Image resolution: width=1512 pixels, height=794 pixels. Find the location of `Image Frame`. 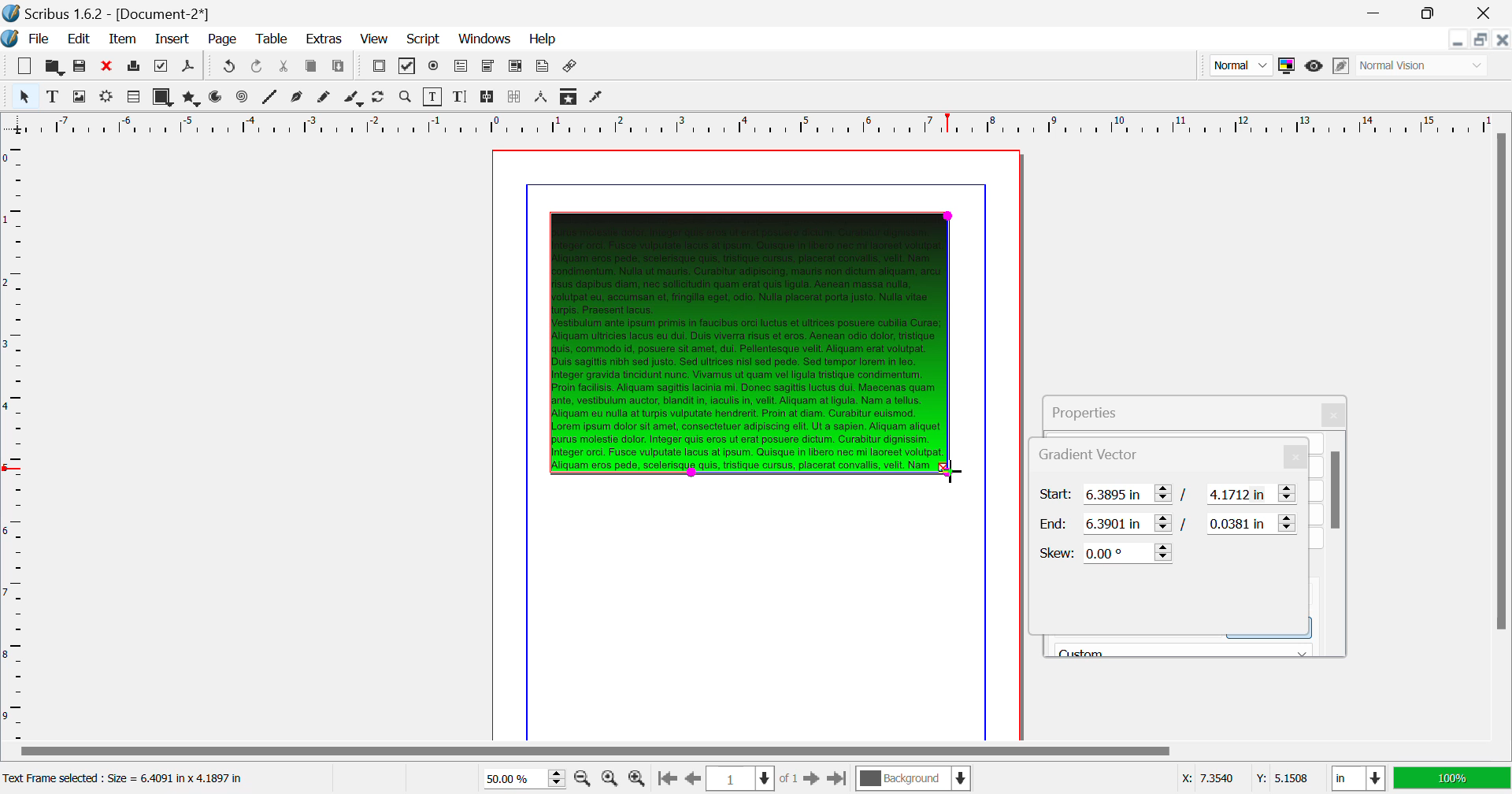

Image Frame is located at coordinates (79, 96).